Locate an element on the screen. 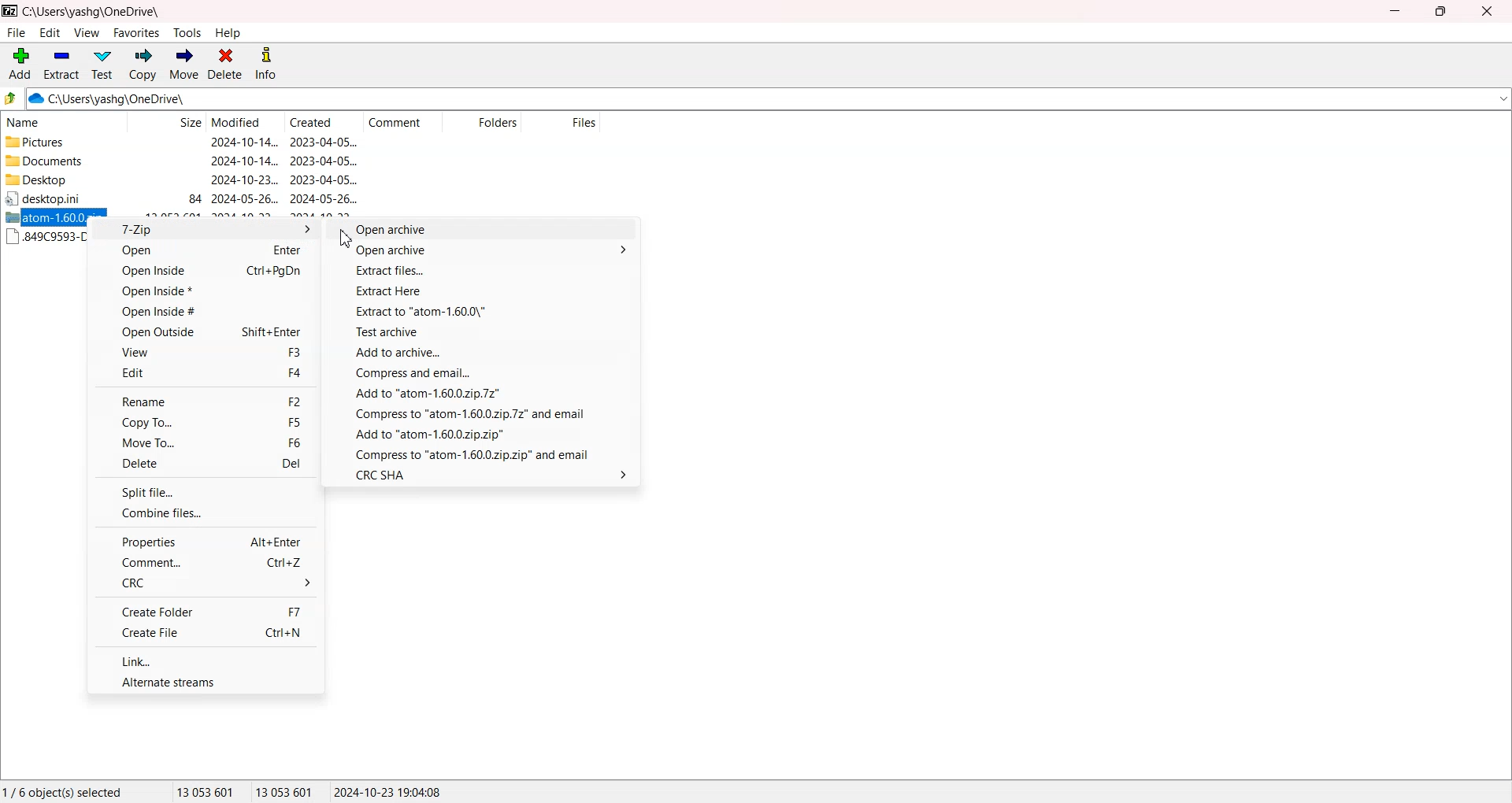 The image size is (1512, 803). Extract files is located at coordinates (485, 272).